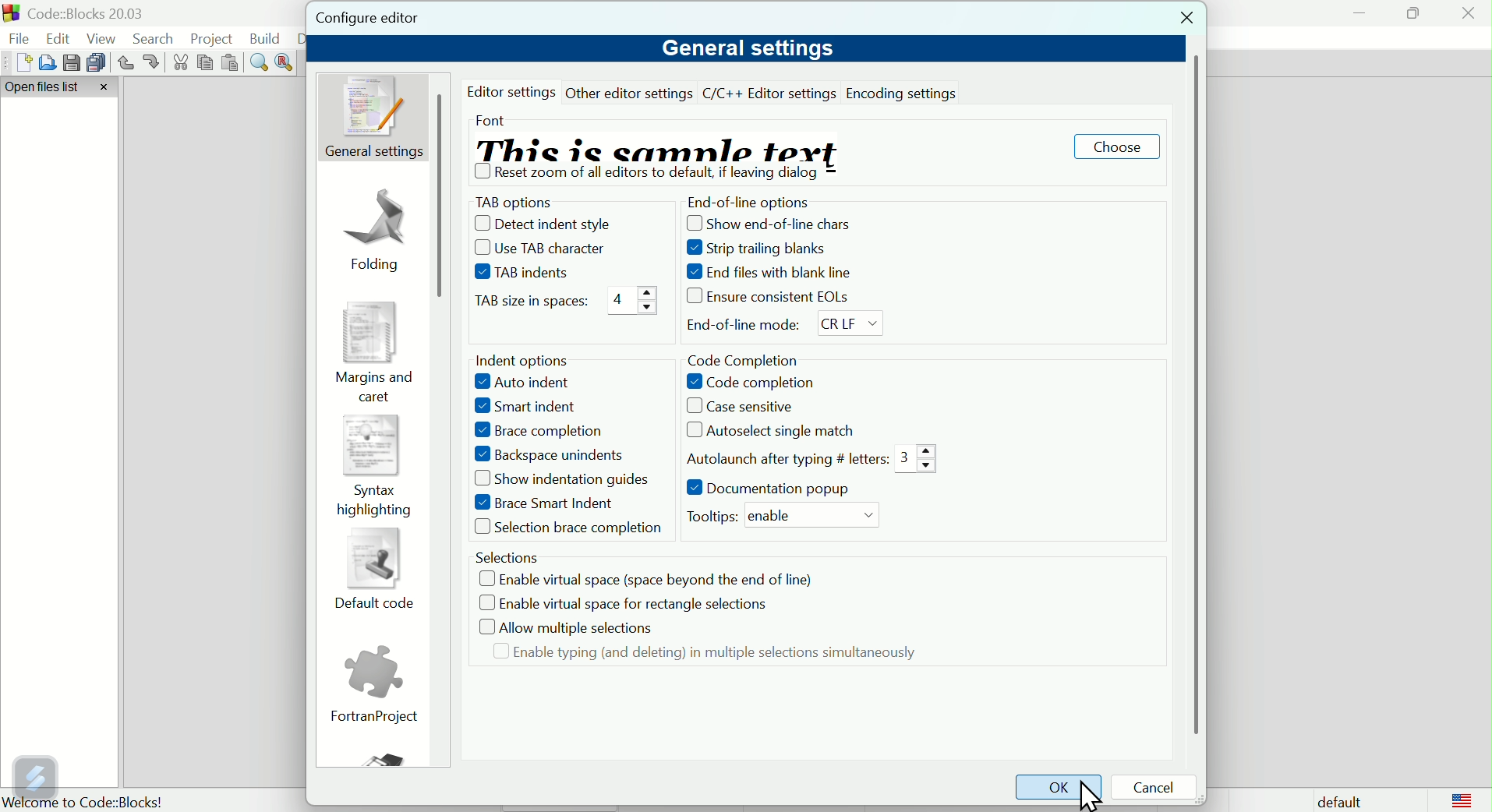 This screenshot has width=1492, height=812. What do you see at coordinates (286, 61) in the screenshot?
I see `Replace` at bounding box center [286, 61].